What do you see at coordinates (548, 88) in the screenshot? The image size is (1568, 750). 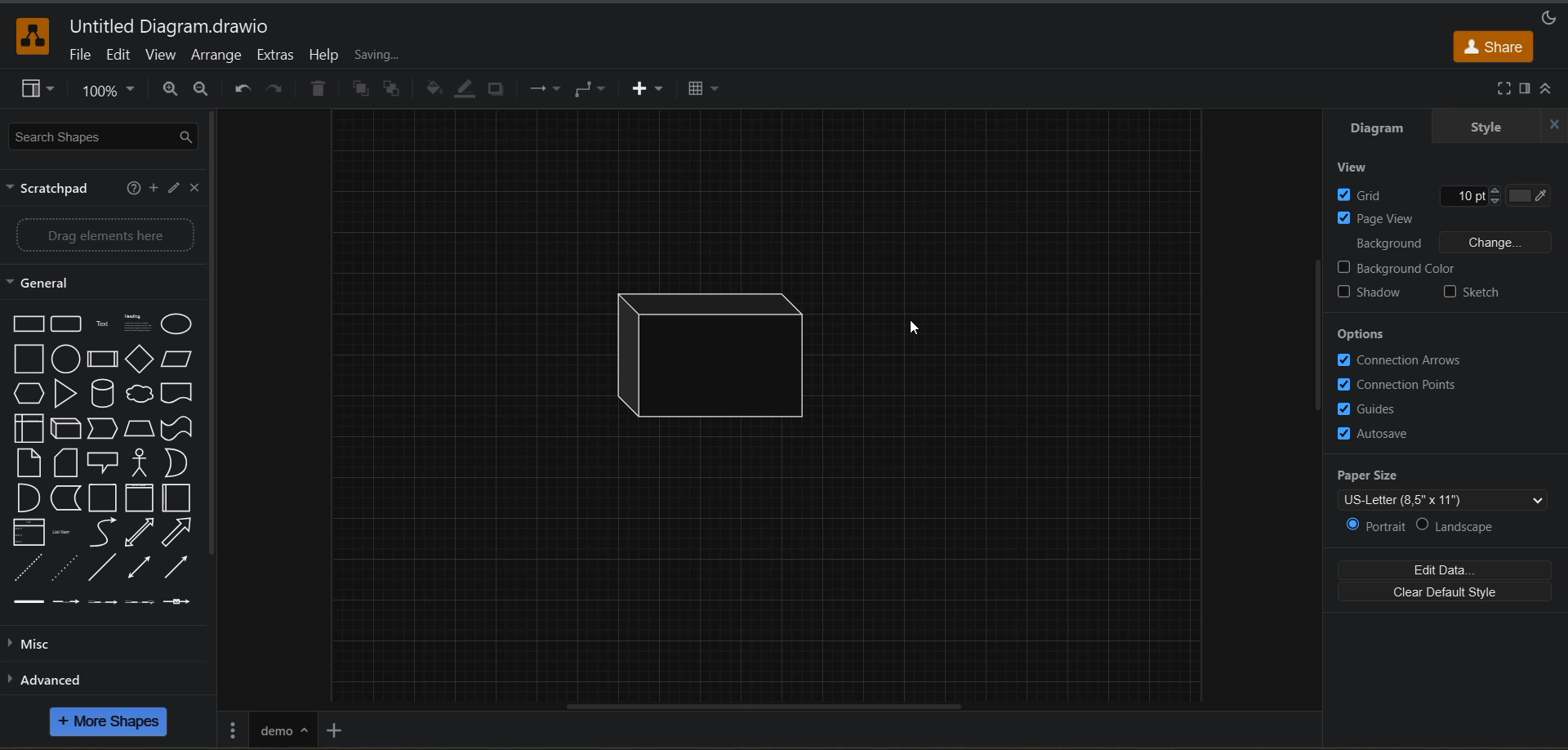 I see `connections` at bounding box center [548, 88].